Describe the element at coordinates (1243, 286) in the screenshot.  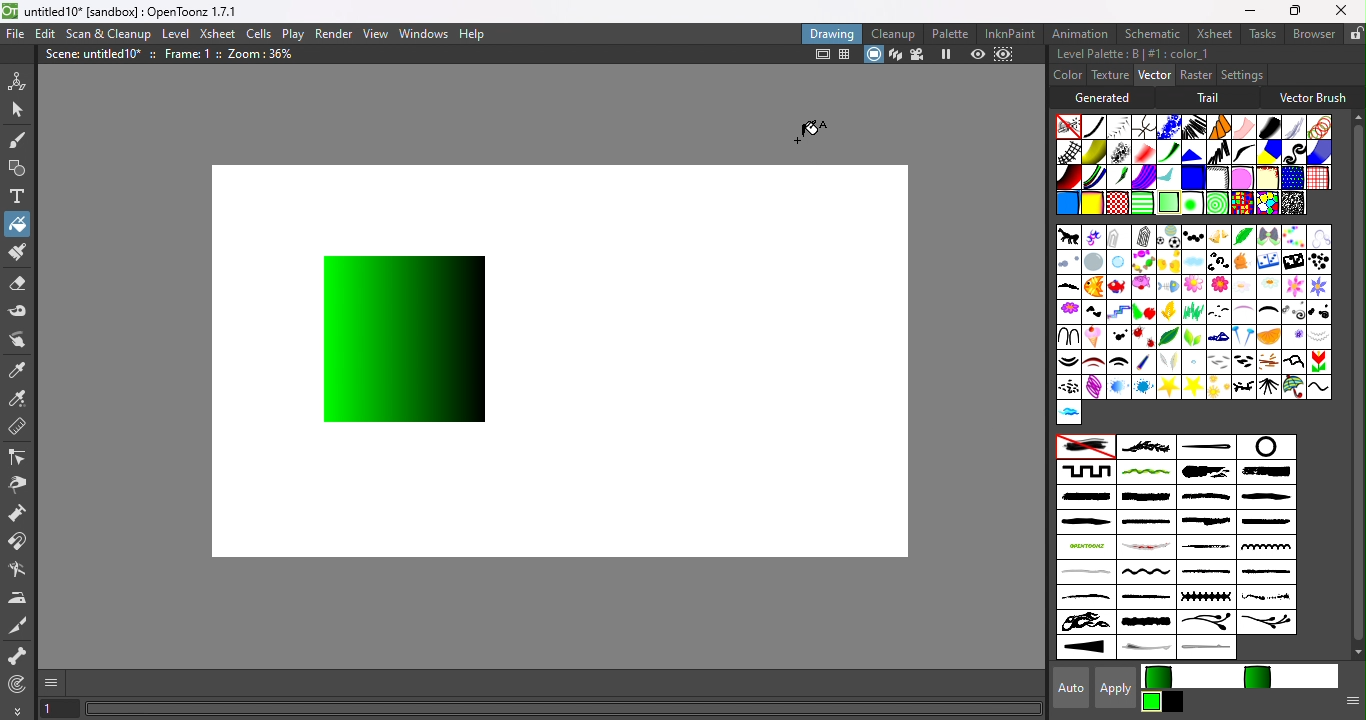
I see `flow3` at that location.